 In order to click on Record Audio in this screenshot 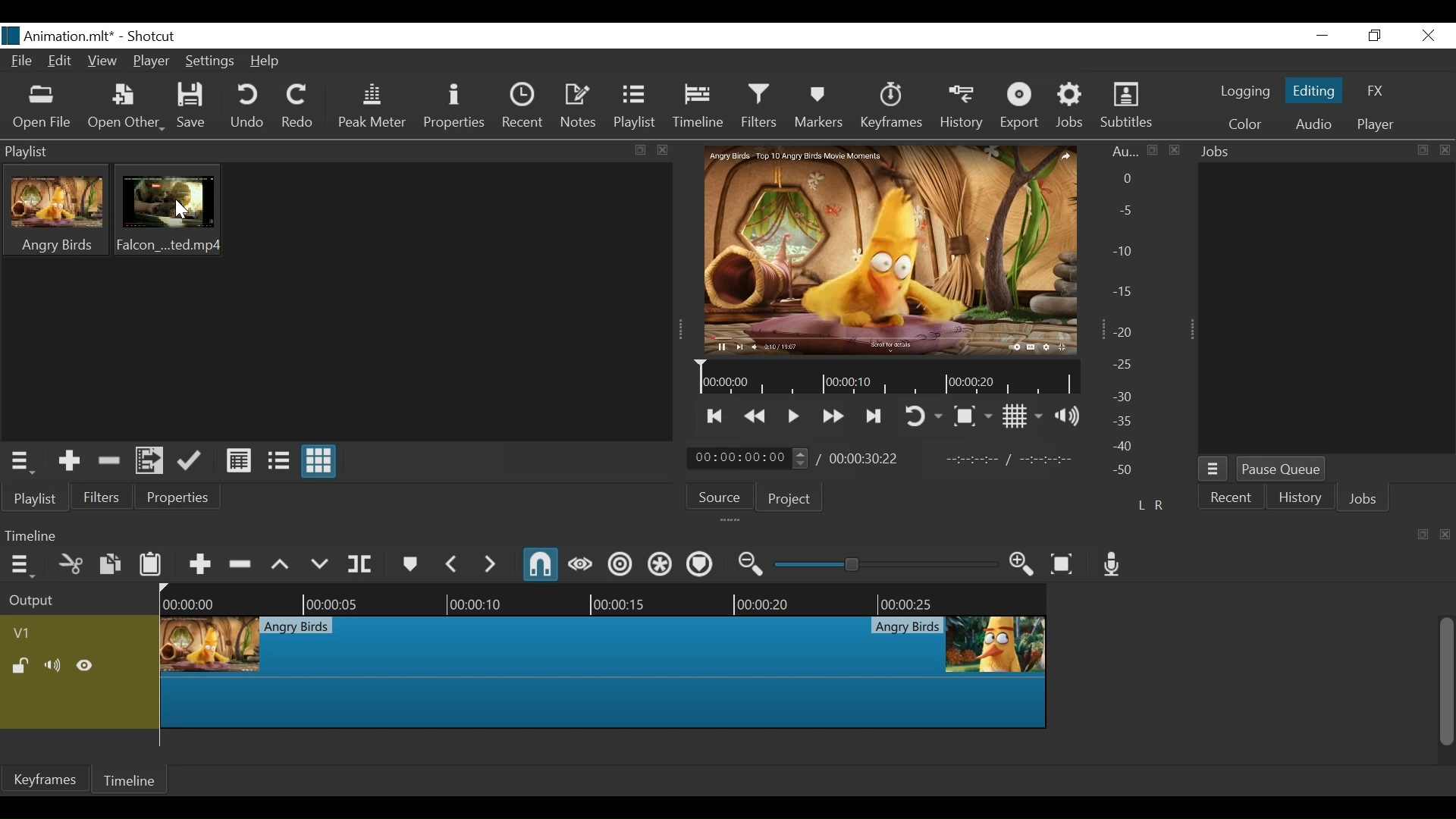, I will do `click(1112, 565)`.